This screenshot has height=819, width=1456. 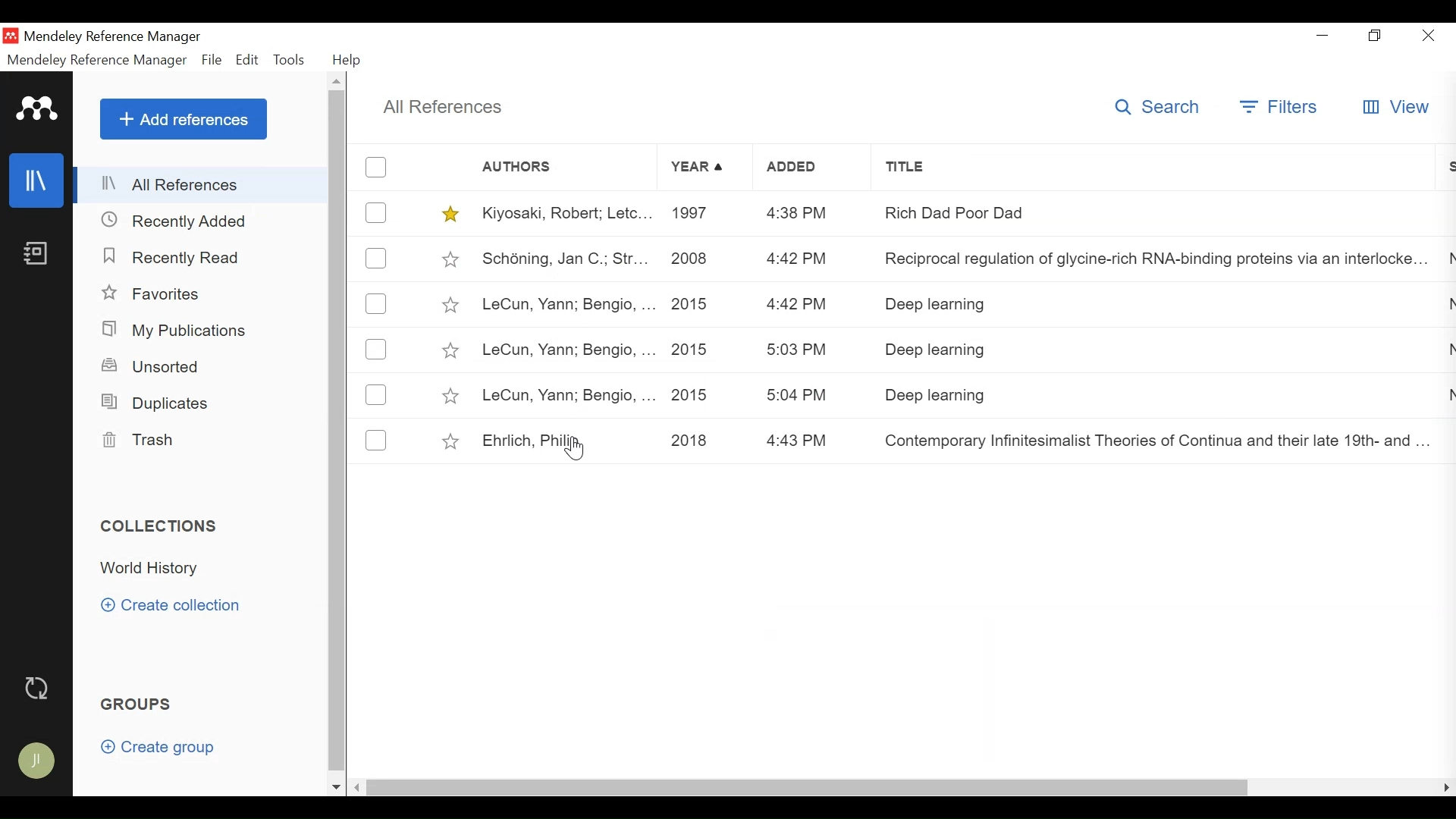 What do you see at coordinates (1145, 306) in the screenshot?
I see `Deep learning` at bounding box center [1145, 306].